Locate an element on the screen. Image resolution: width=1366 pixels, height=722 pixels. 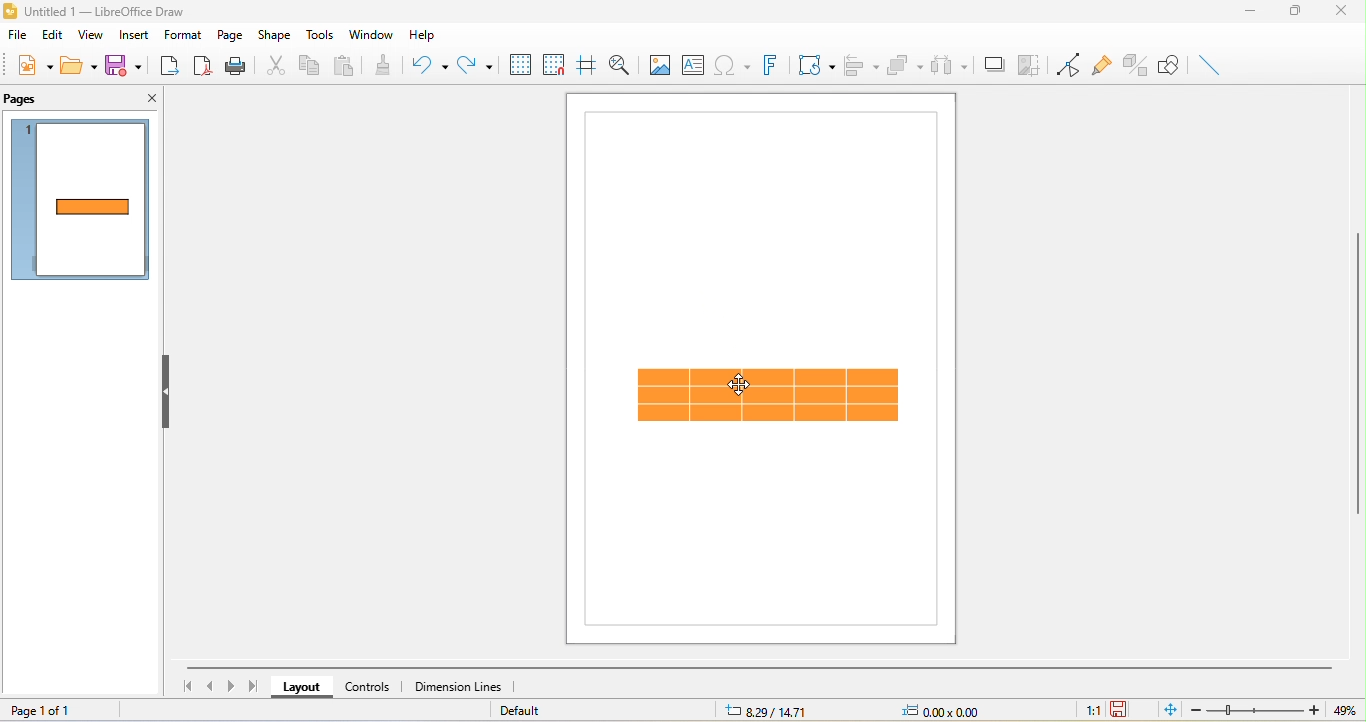
format is located at coordinates (185, 35).